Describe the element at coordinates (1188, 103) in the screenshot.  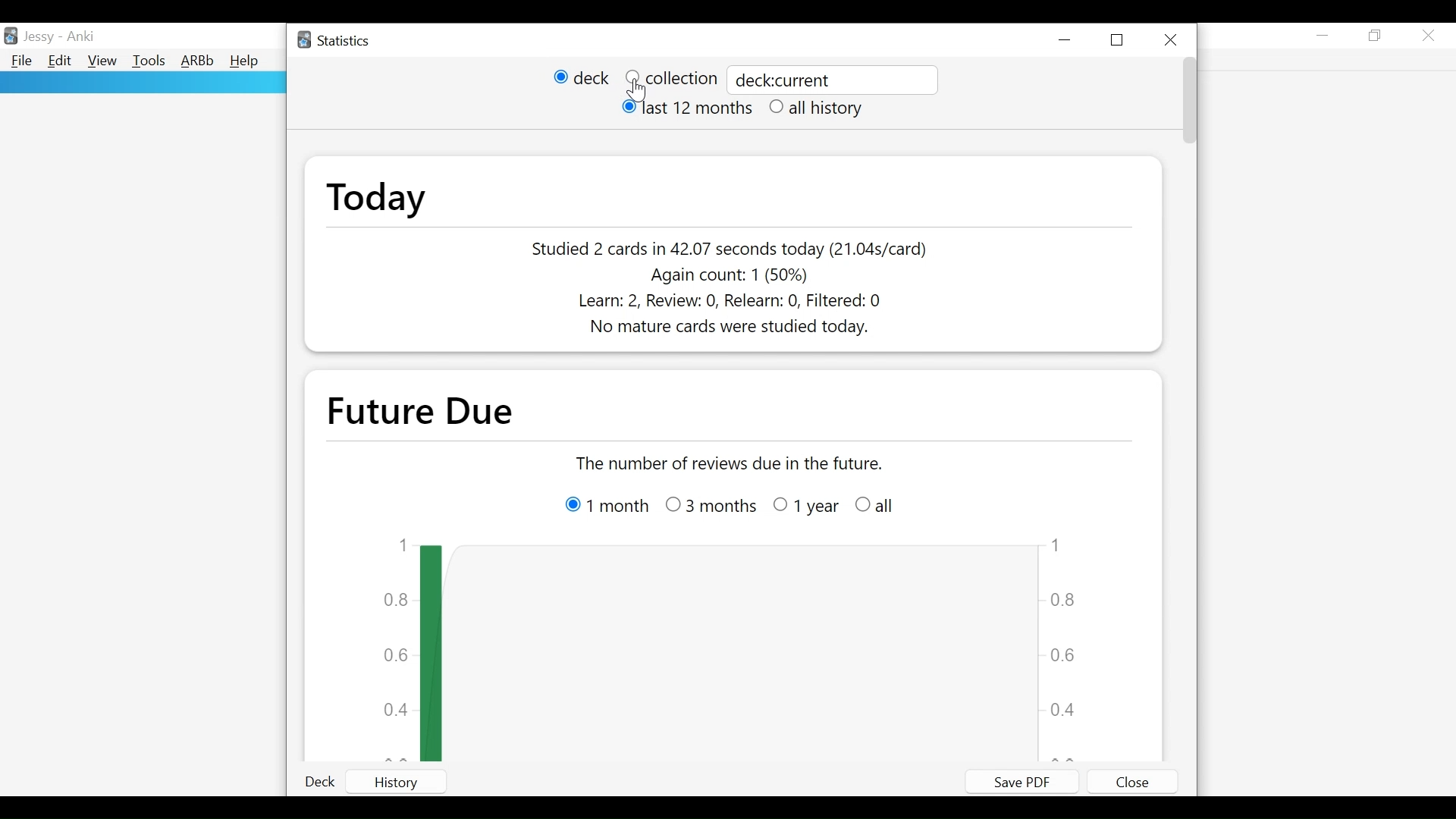
I see `Vertical Scroll bar` at that location.